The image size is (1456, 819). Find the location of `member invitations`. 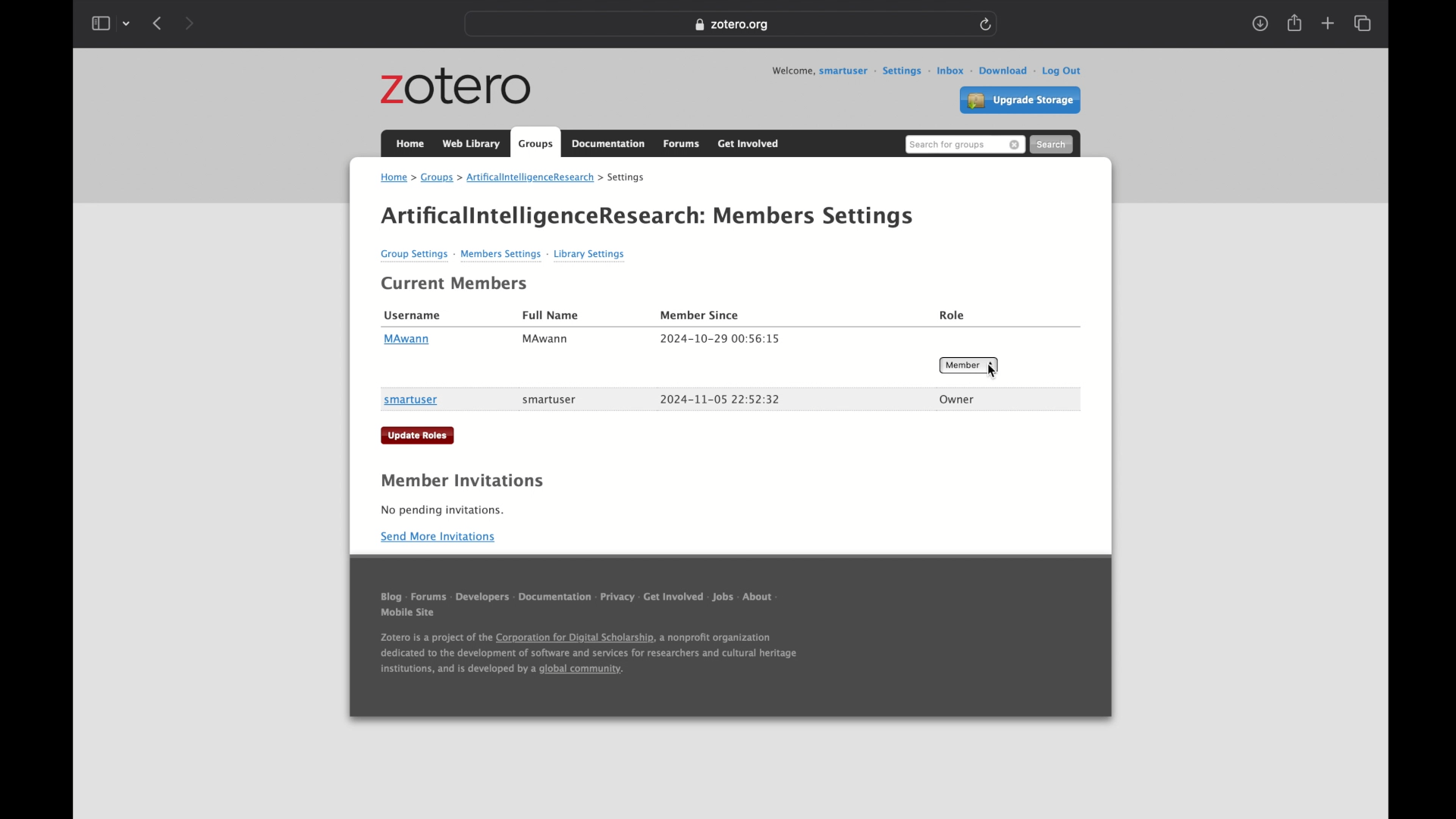

member invitations is located at coordinates (462, 481).